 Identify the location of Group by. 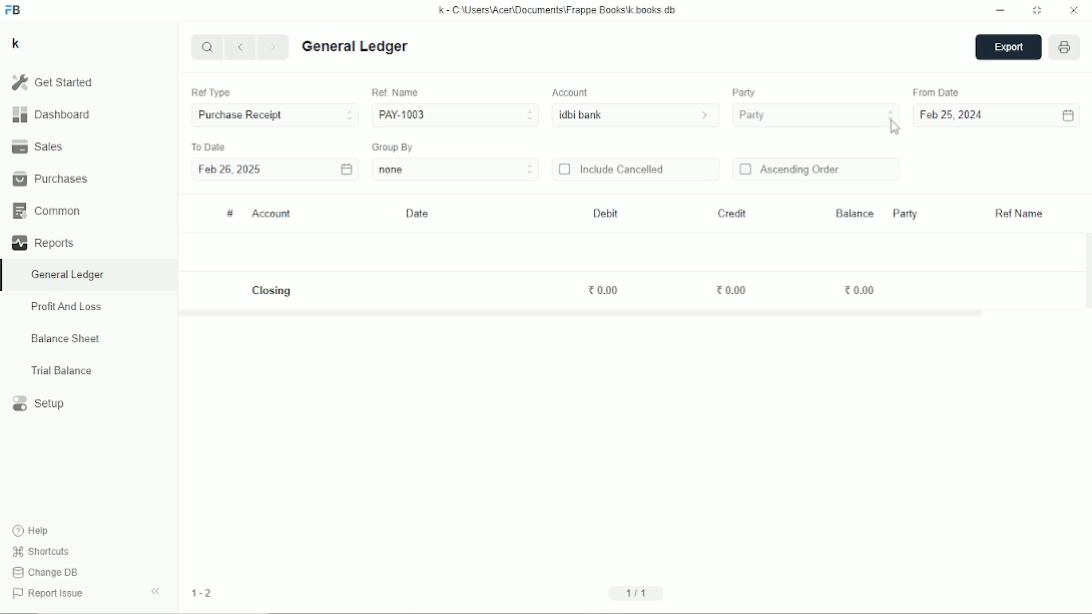
(394, 147).